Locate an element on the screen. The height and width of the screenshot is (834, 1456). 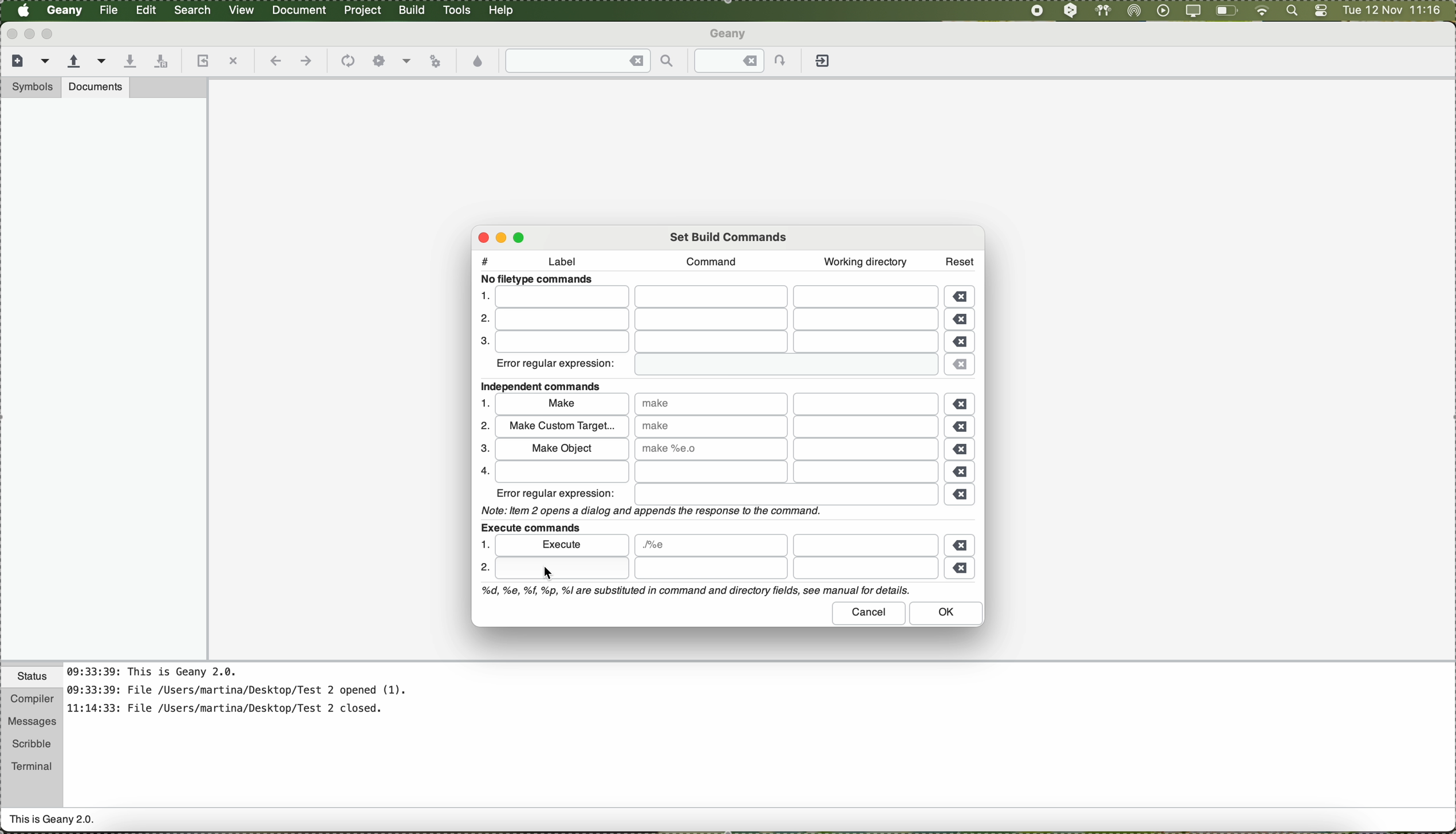
Geany is located at coordinates (65, 11).